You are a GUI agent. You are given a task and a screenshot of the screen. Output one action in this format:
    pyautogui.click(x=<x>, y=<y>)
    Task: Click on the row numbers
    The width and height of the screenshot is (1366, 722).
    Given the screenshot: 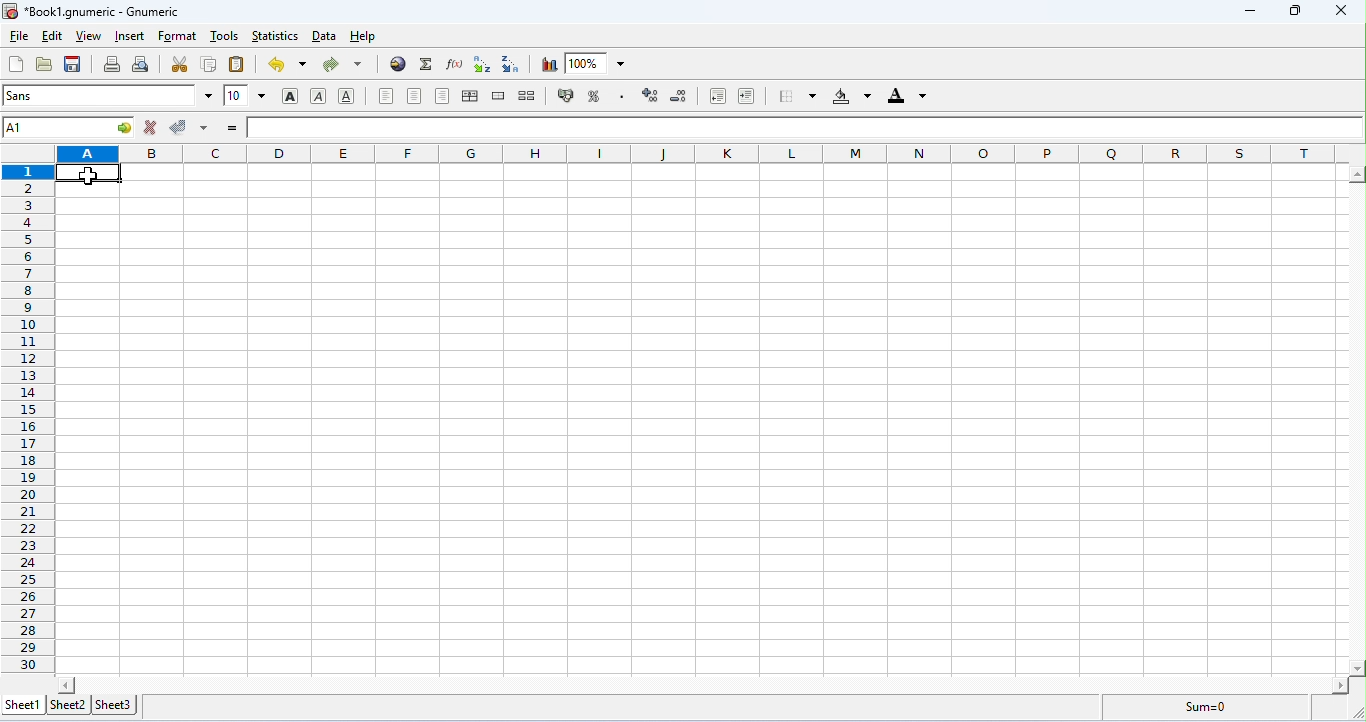 What is the action you would take?
    pyautogui.click(x=27, y=419)
    